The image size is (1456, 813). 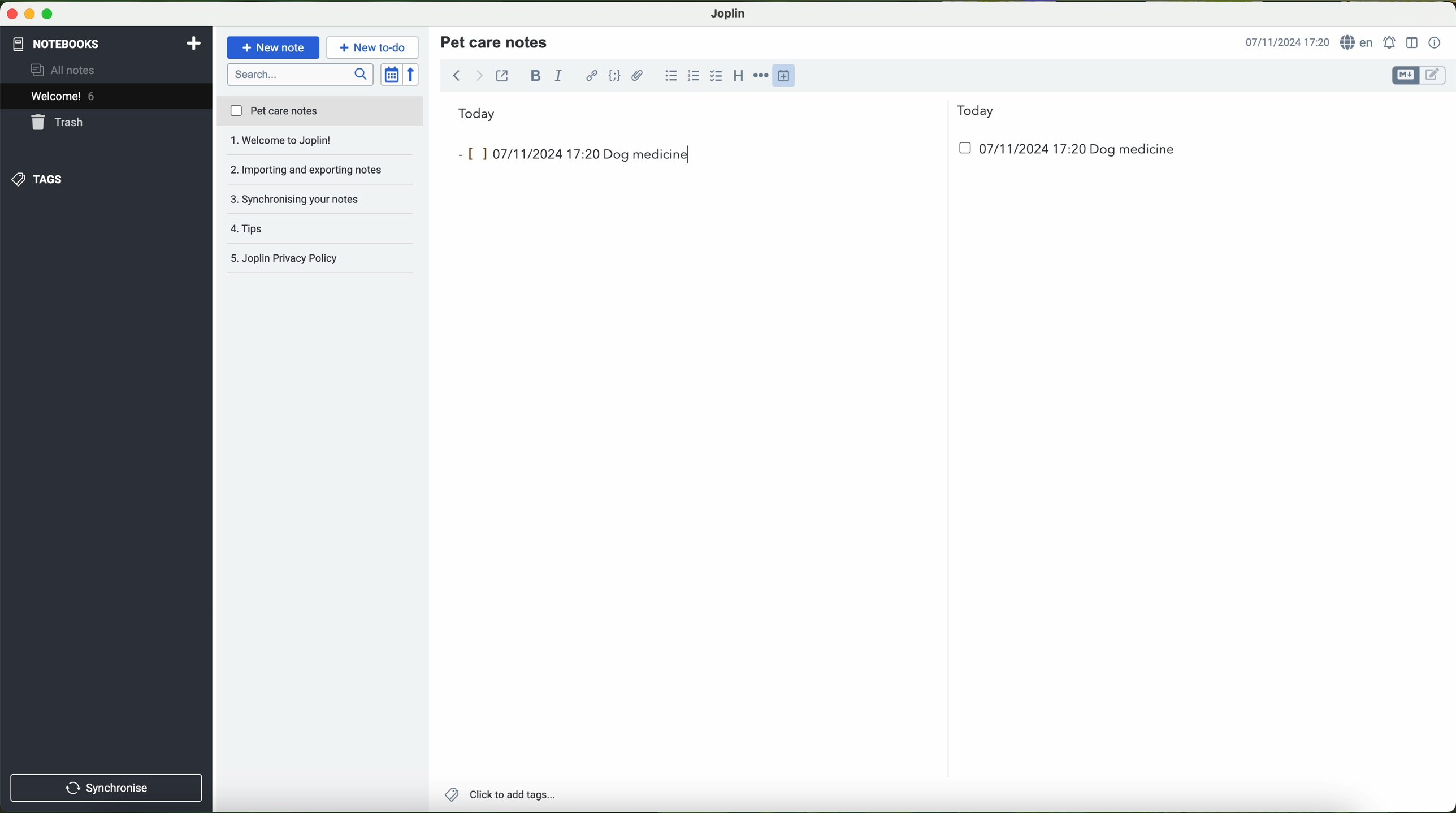 I want to click on cursor on new to-do button , so click(x=374, y=48).